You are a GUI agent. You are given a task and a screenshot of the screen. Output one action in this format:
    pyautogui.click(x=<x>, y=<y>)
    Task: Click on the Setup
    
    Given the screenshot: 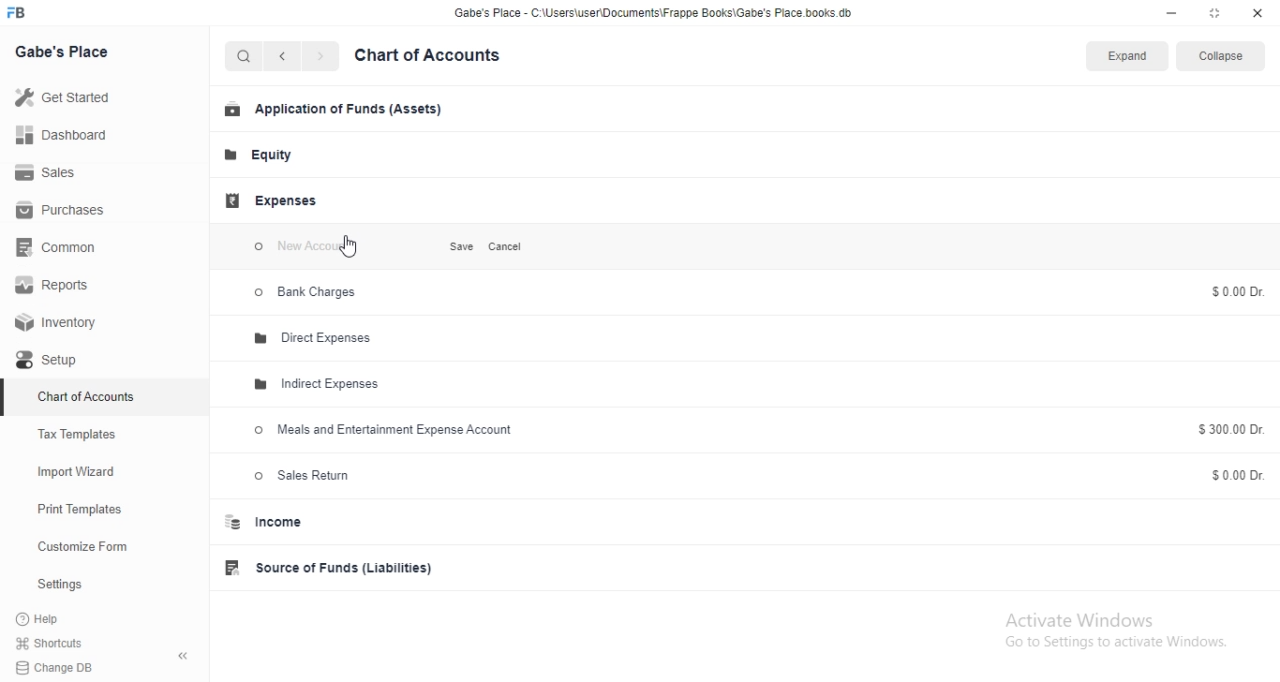 What is the action you would take?
    pyautogui.click(x=68, y=360)
    